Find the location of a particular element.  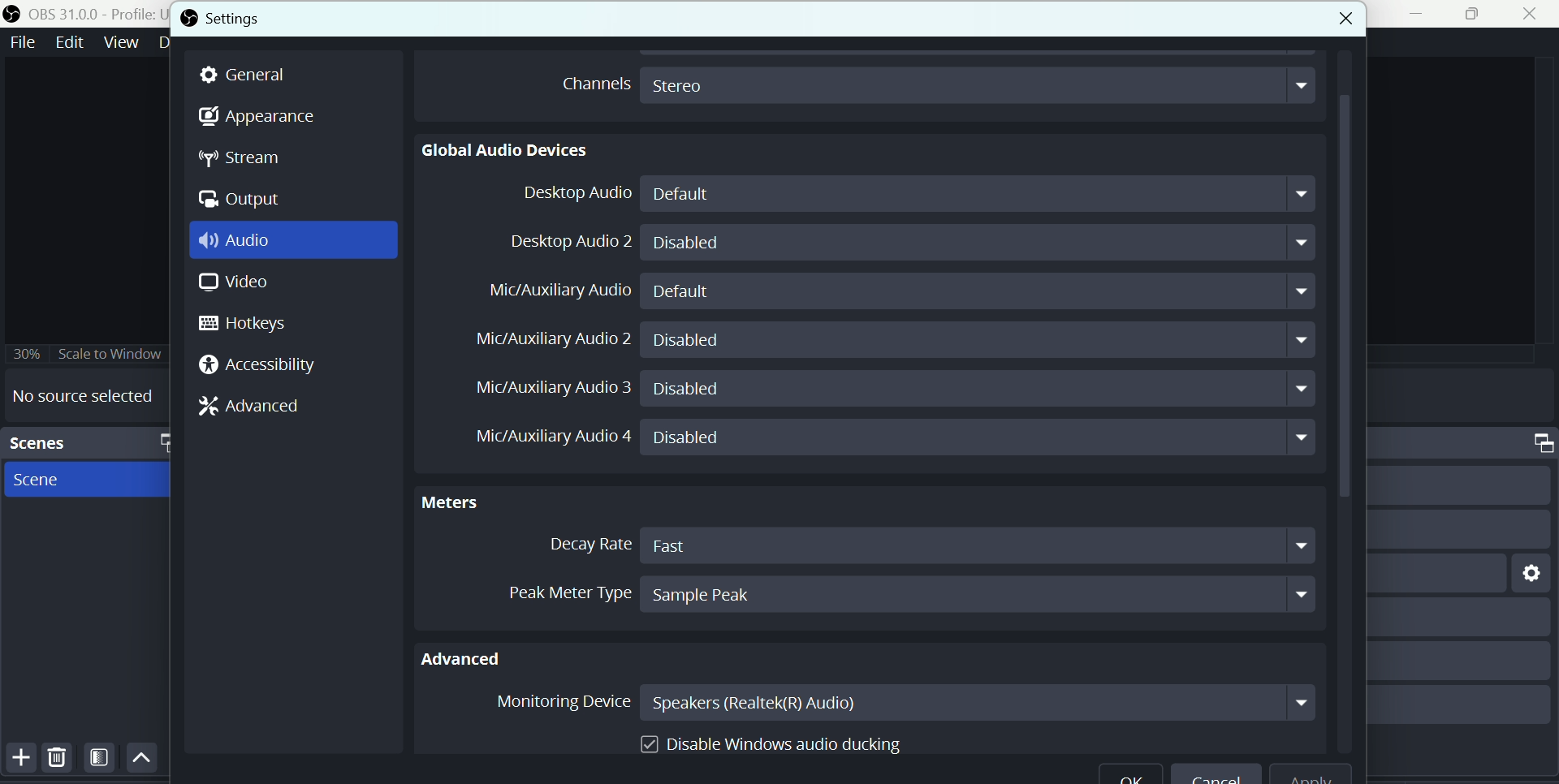

vertical scrollbar is located at coordinates (1345, 403).